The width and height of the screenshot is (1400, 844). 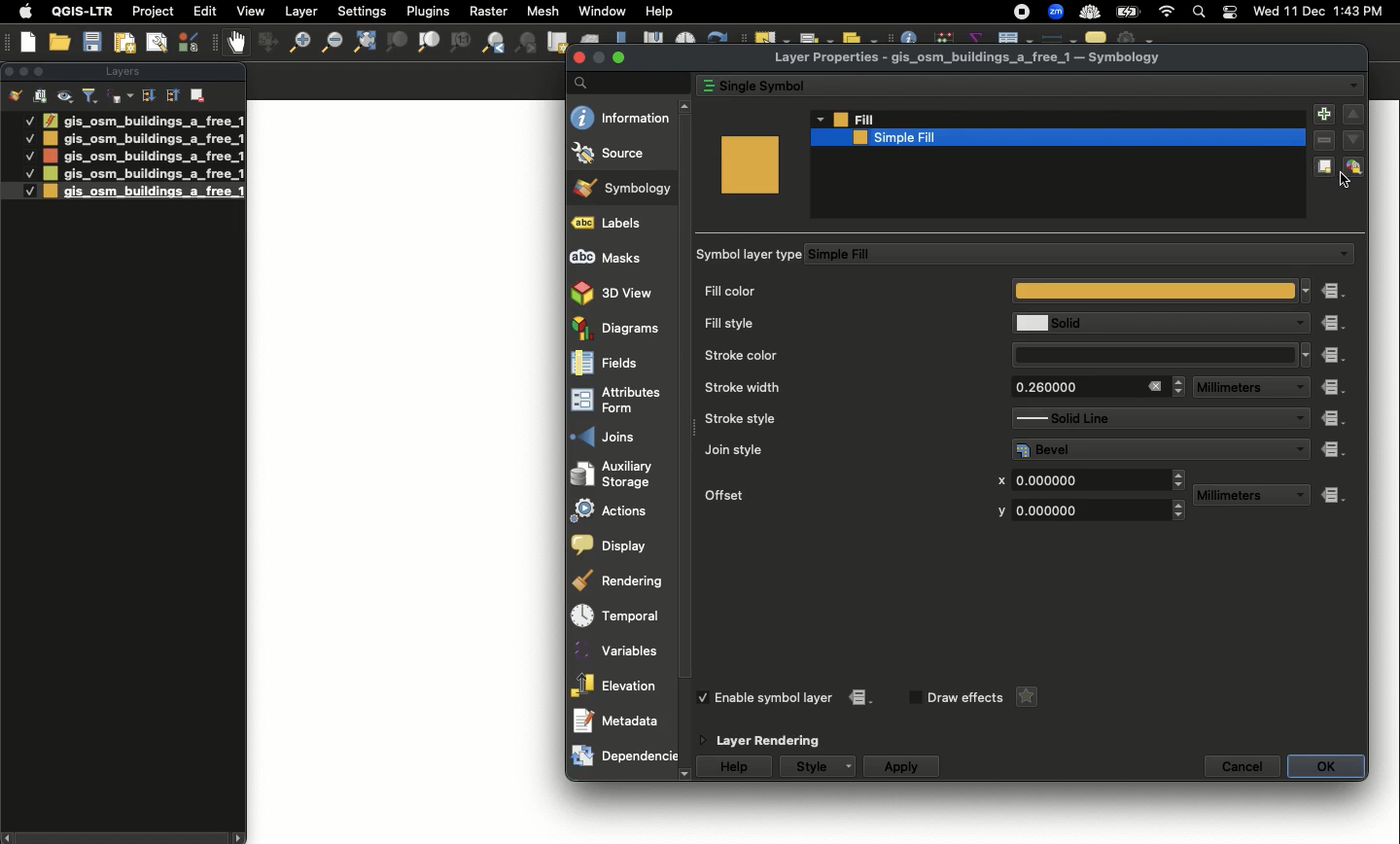 I want to click on Temporal, so click(x=621, y=616).